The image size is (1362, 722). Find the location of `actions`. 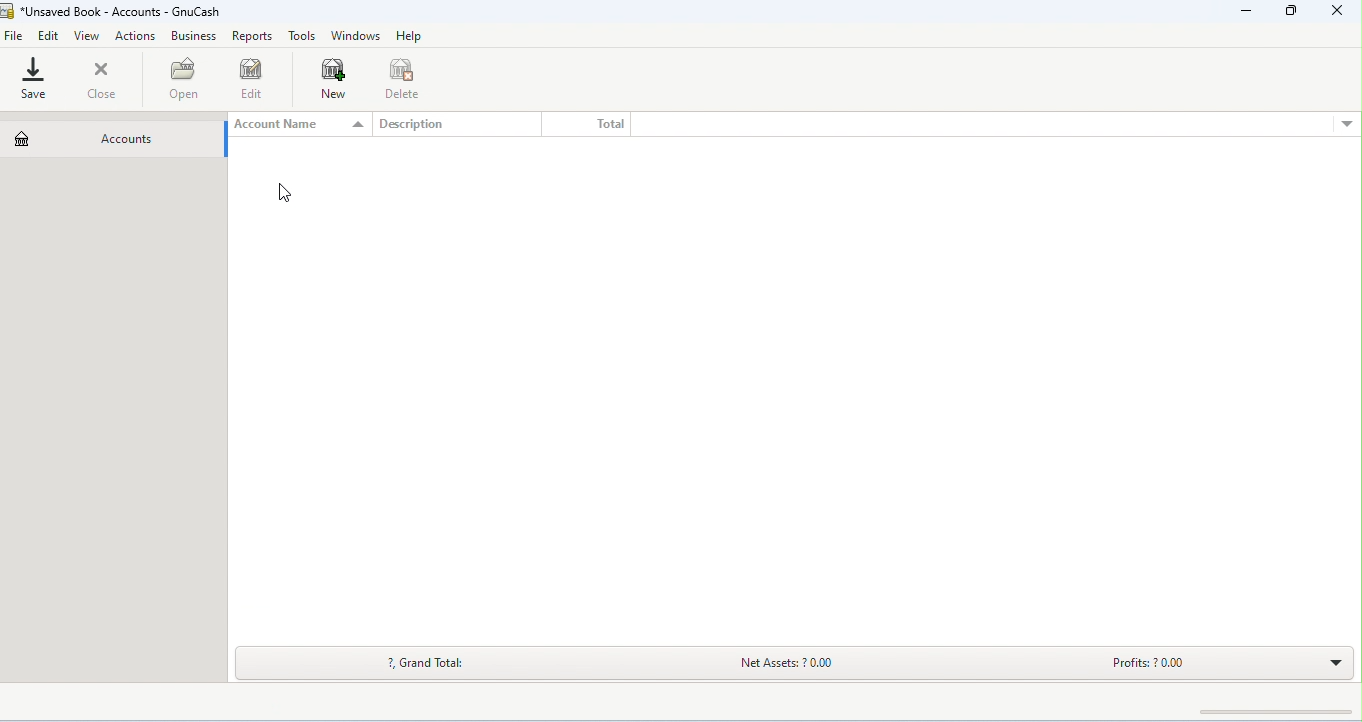

actions is located at coordinates (136, 37).